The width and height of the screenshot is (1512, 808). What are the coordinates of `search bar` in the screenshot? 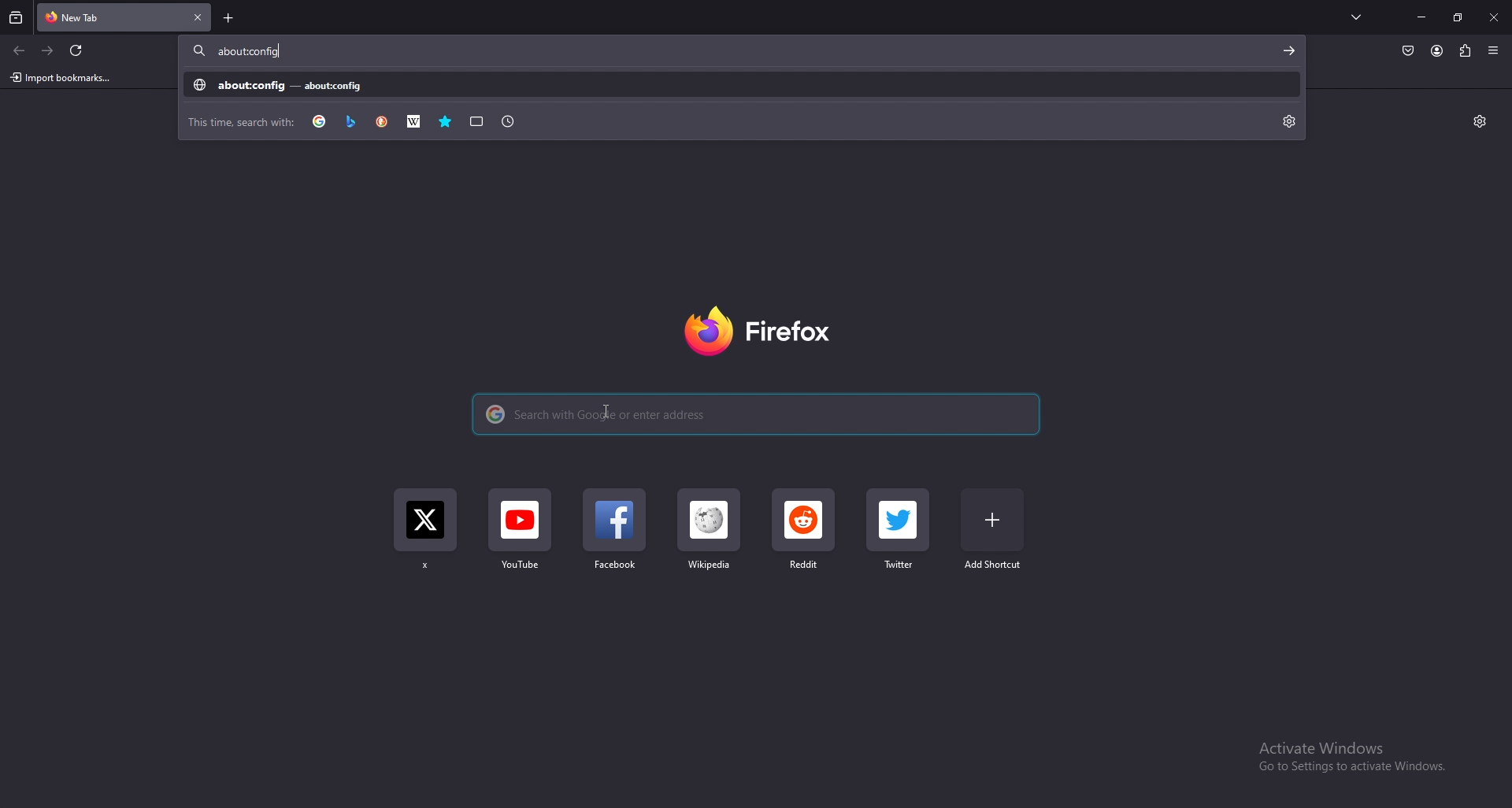 It's located at (754, 412).